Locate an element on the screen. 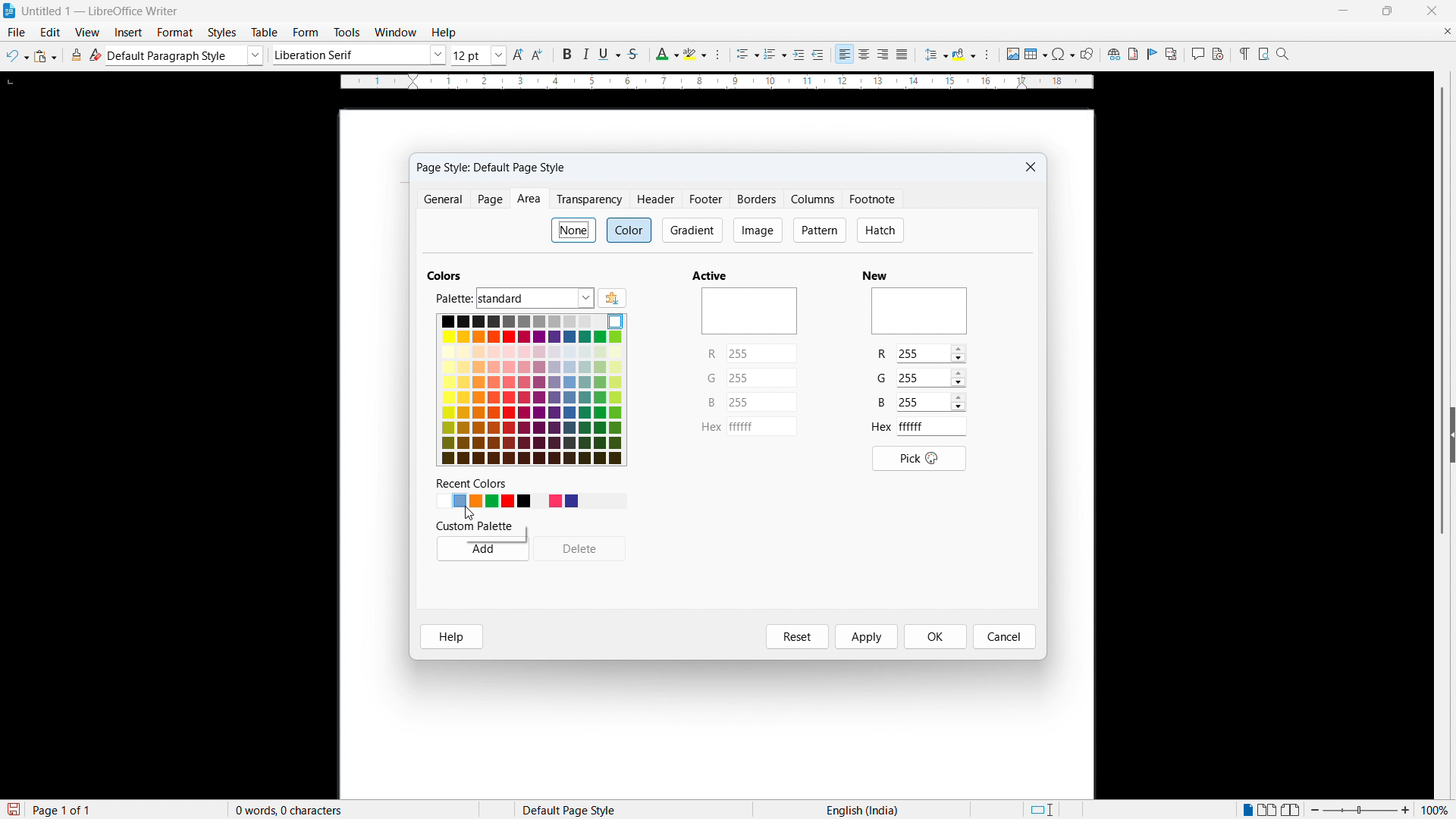 This screenshot has width=1456, height=819. Footnote  is located at coordinates (873, 199).